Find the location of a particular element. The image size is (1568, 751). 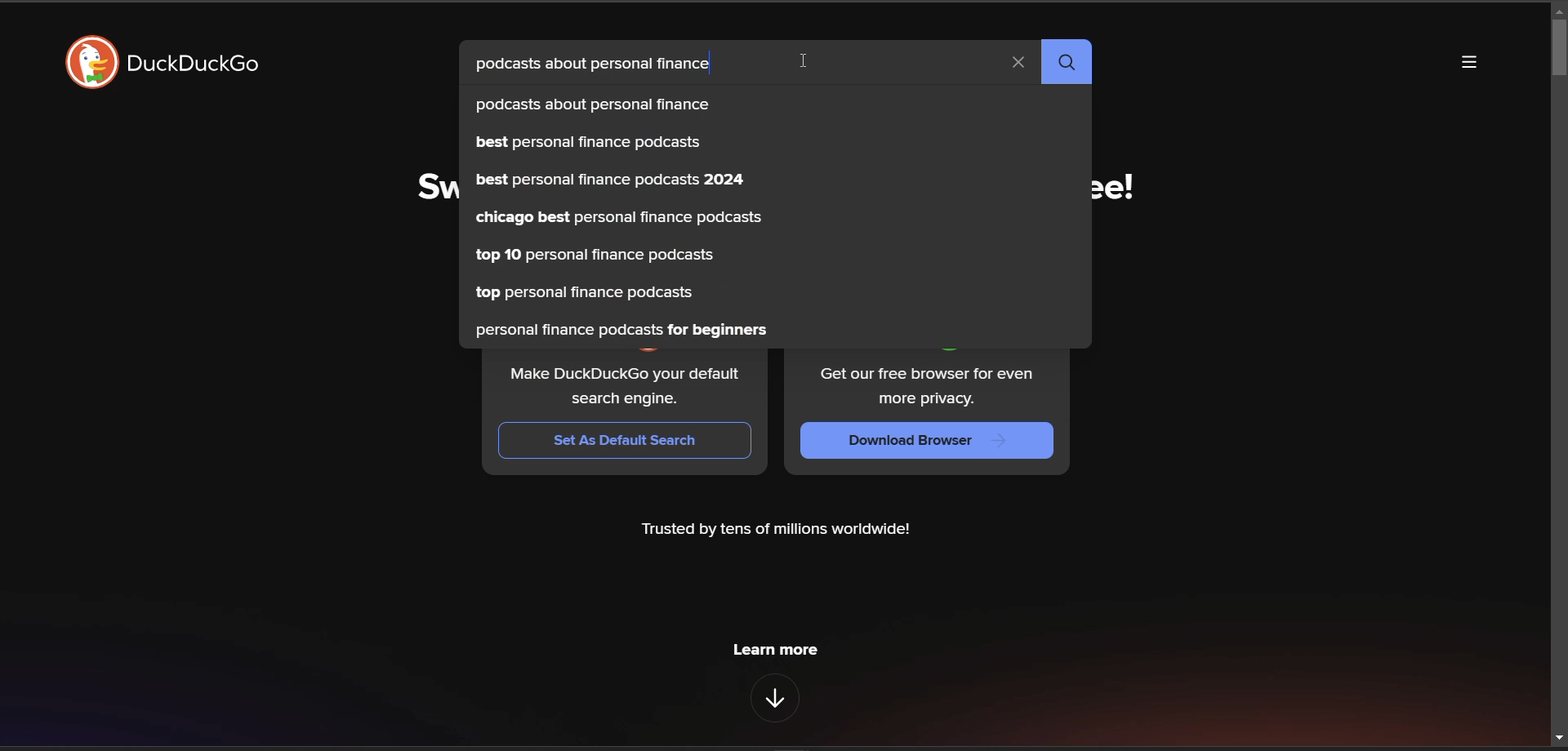

top personal finance podcasts is located at coordinates (589, 294).